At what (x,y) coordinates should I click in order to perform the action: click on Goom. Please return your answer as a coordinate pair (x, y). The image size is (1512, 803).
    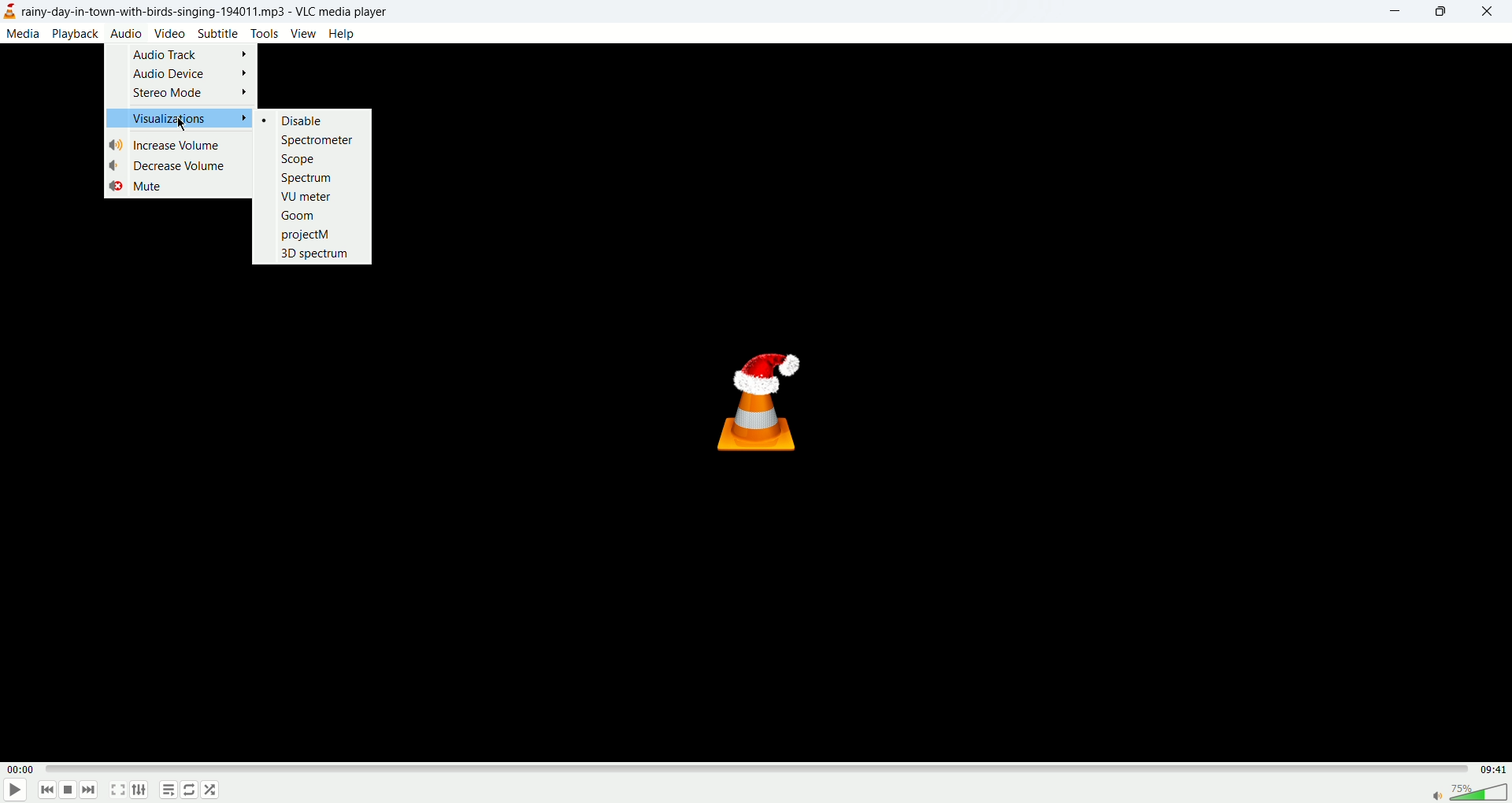
    Looking at the image, I should click on (305, 216).